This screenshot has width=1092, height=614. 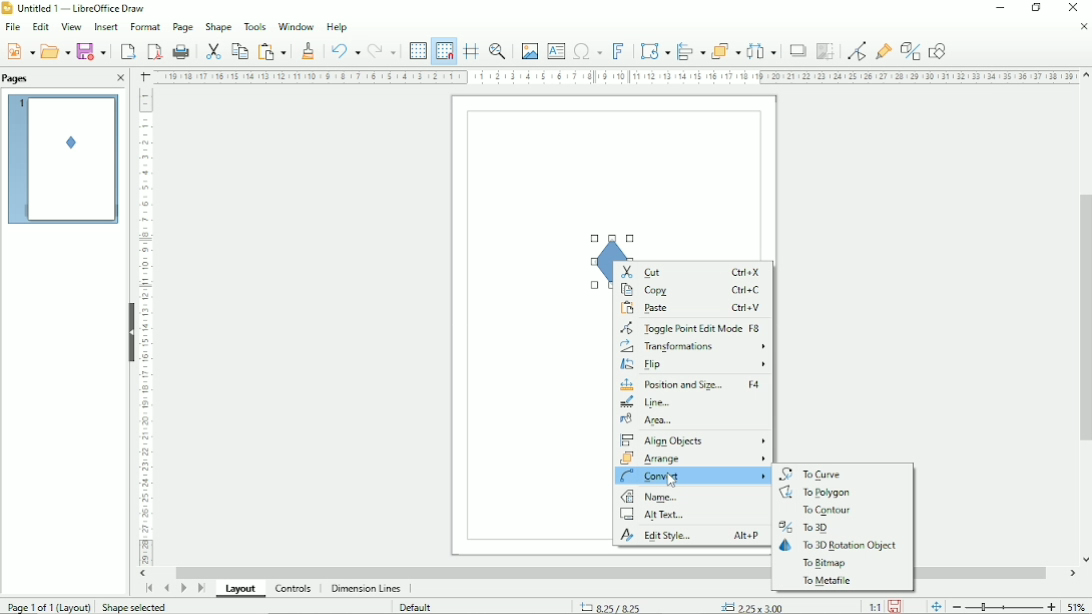 I want to click on Scroll to first page, so click(x=147, y=588).